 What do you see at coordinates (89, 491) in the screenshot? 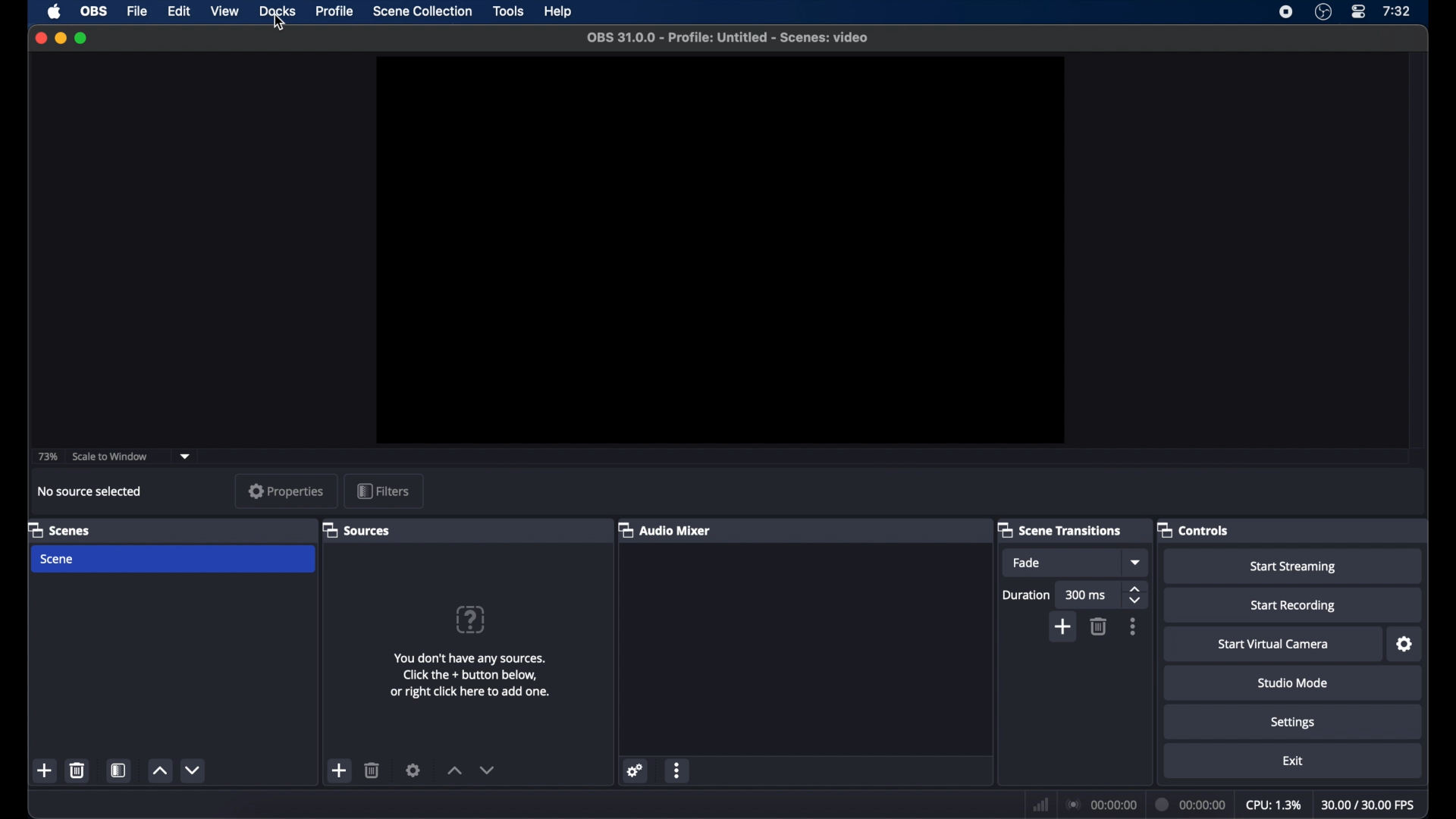
I see `no source selected` at bounding box center [89, 491].